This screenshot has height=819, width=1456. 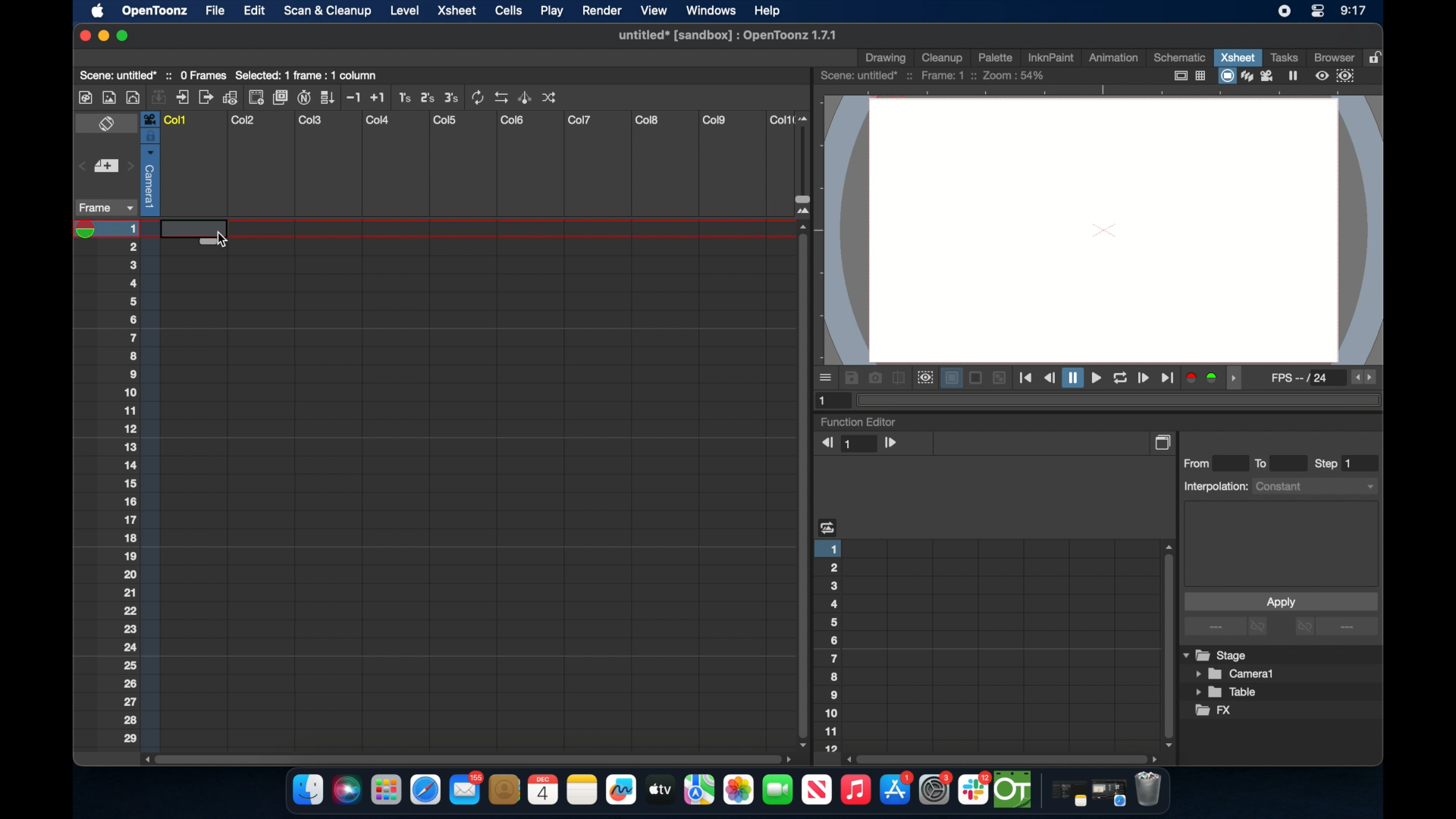 I want to click on drag handle, so click(x=1238, y=378).